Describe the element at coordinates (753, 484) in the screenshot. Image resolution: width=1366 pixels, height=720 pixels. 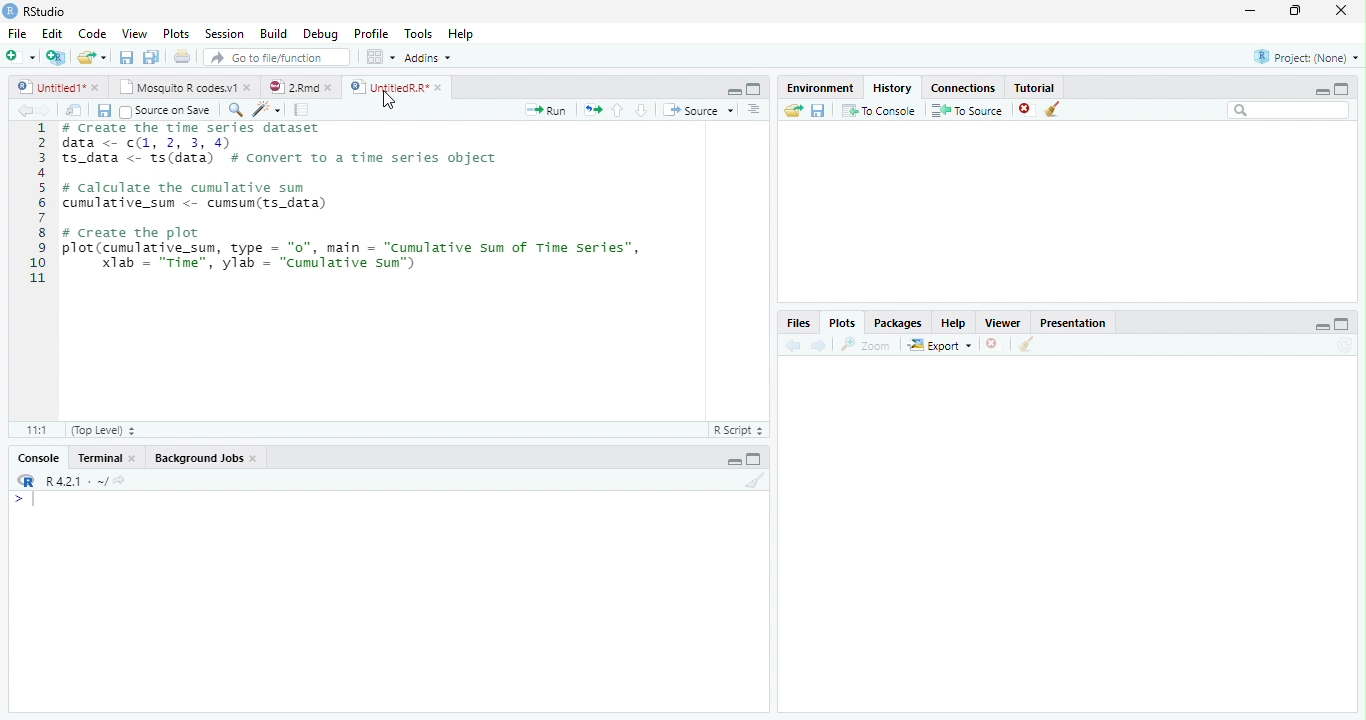
I see `Clear Console` at that location.